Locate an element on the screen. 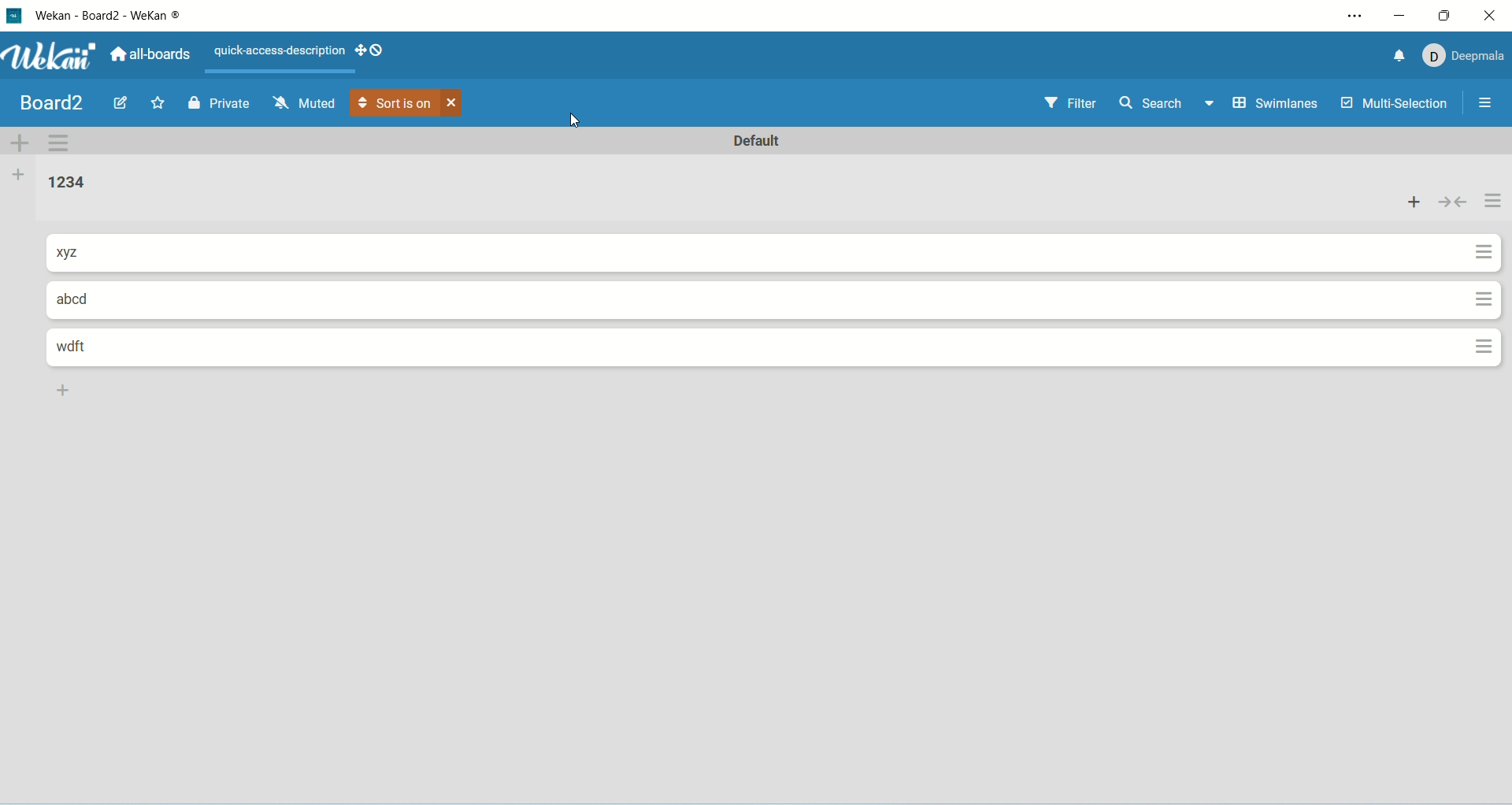 The width and height of the screenshot is (1512, 805). search is located at coordinates (1166, 105).